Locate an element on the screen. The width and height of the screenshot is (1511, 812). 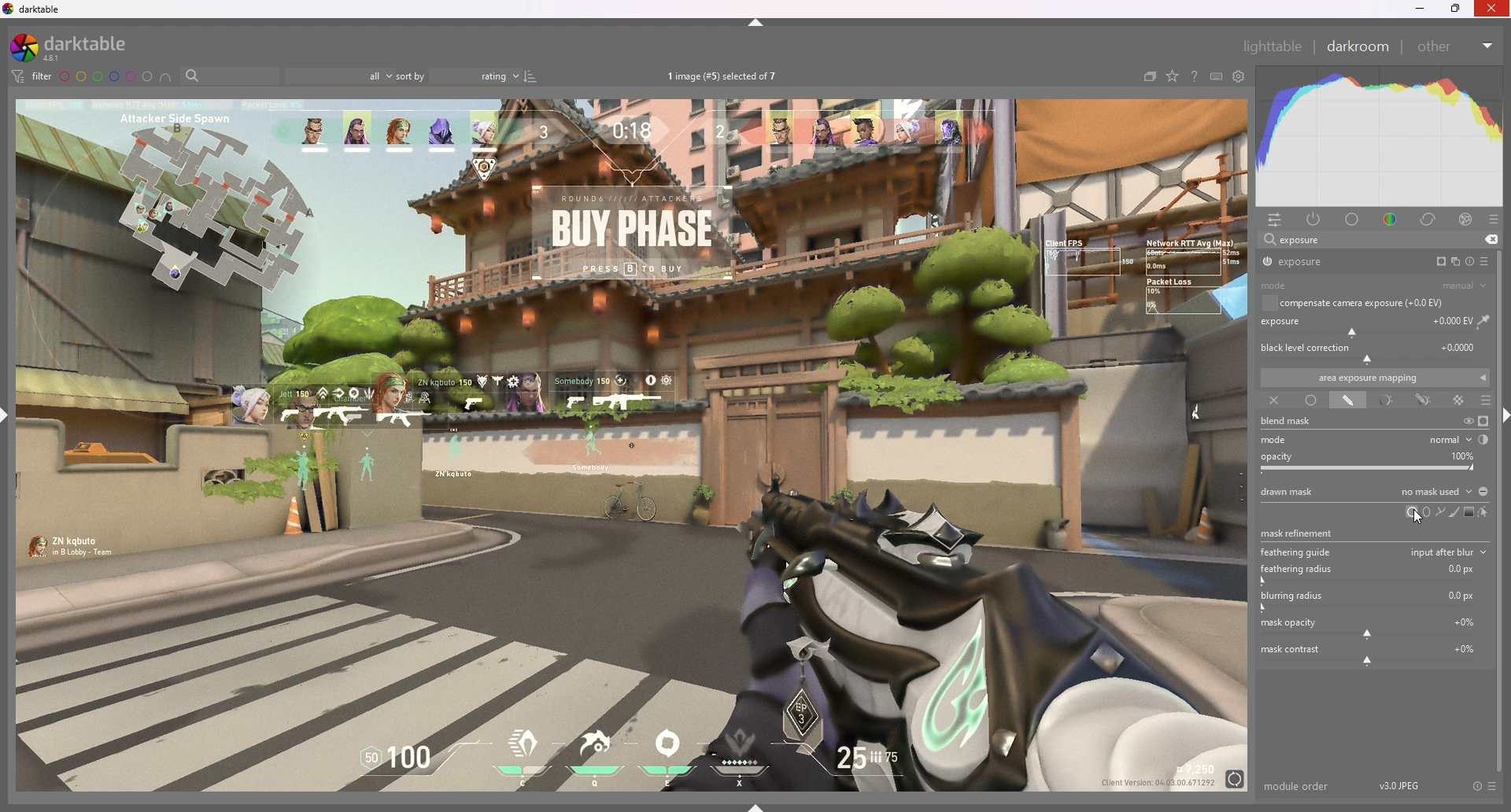
color labels is located at coordinates (106, 77).